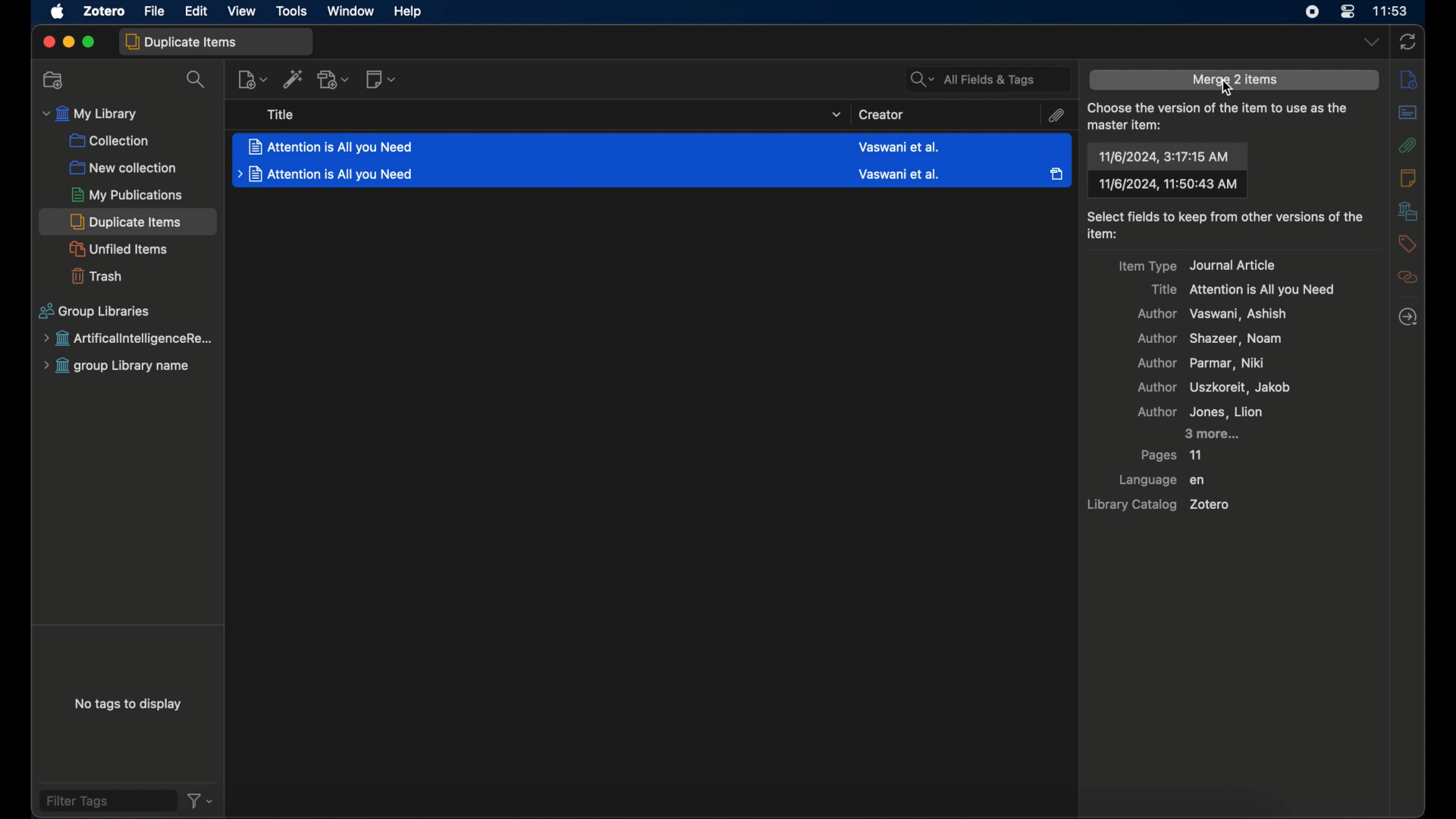  Describe the element at coordinates (131, 705) in the screenshot. I see `no tags to display` at that location.